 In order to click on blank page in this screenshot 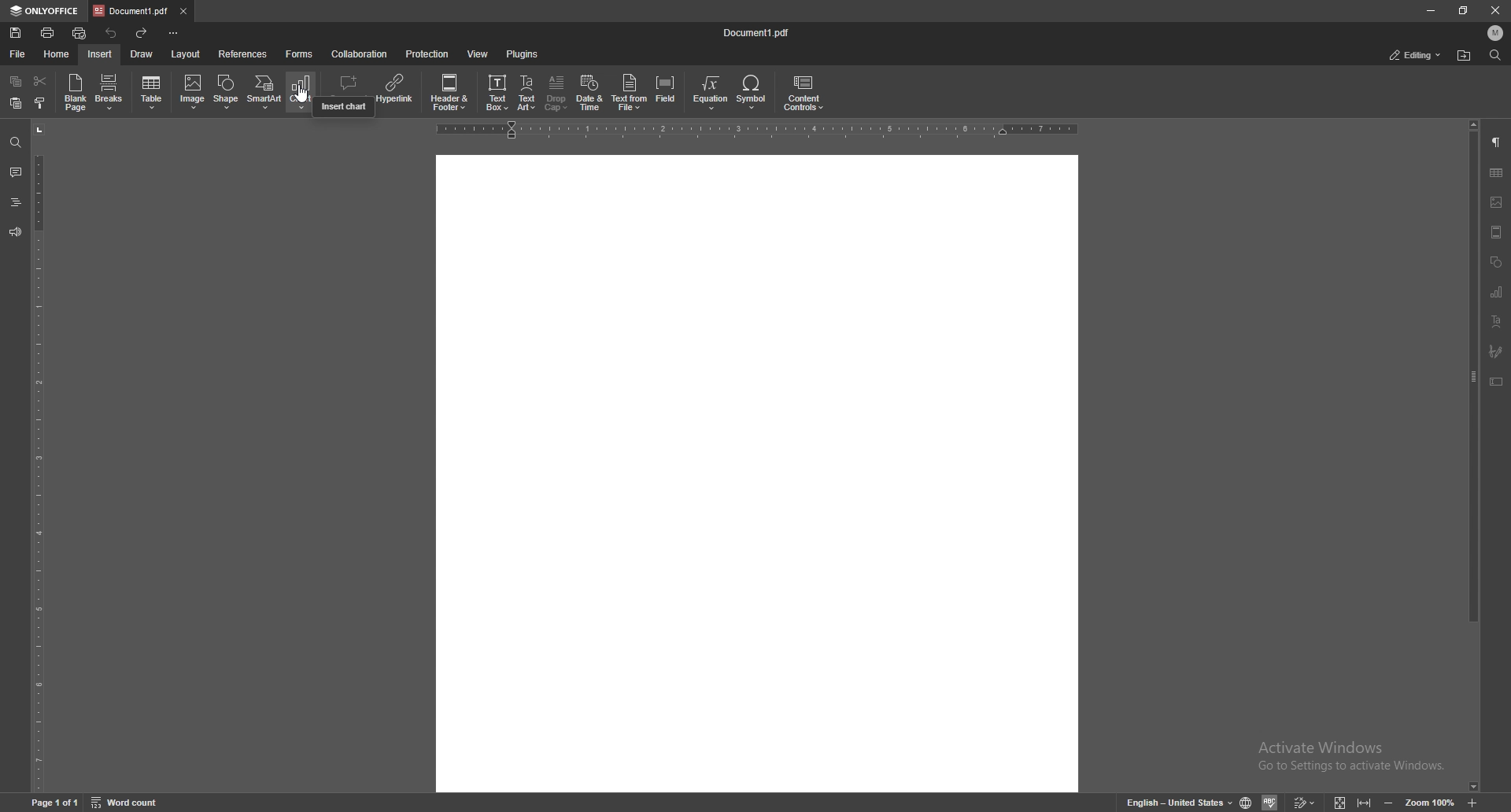, I will do `click(77, 92)`.